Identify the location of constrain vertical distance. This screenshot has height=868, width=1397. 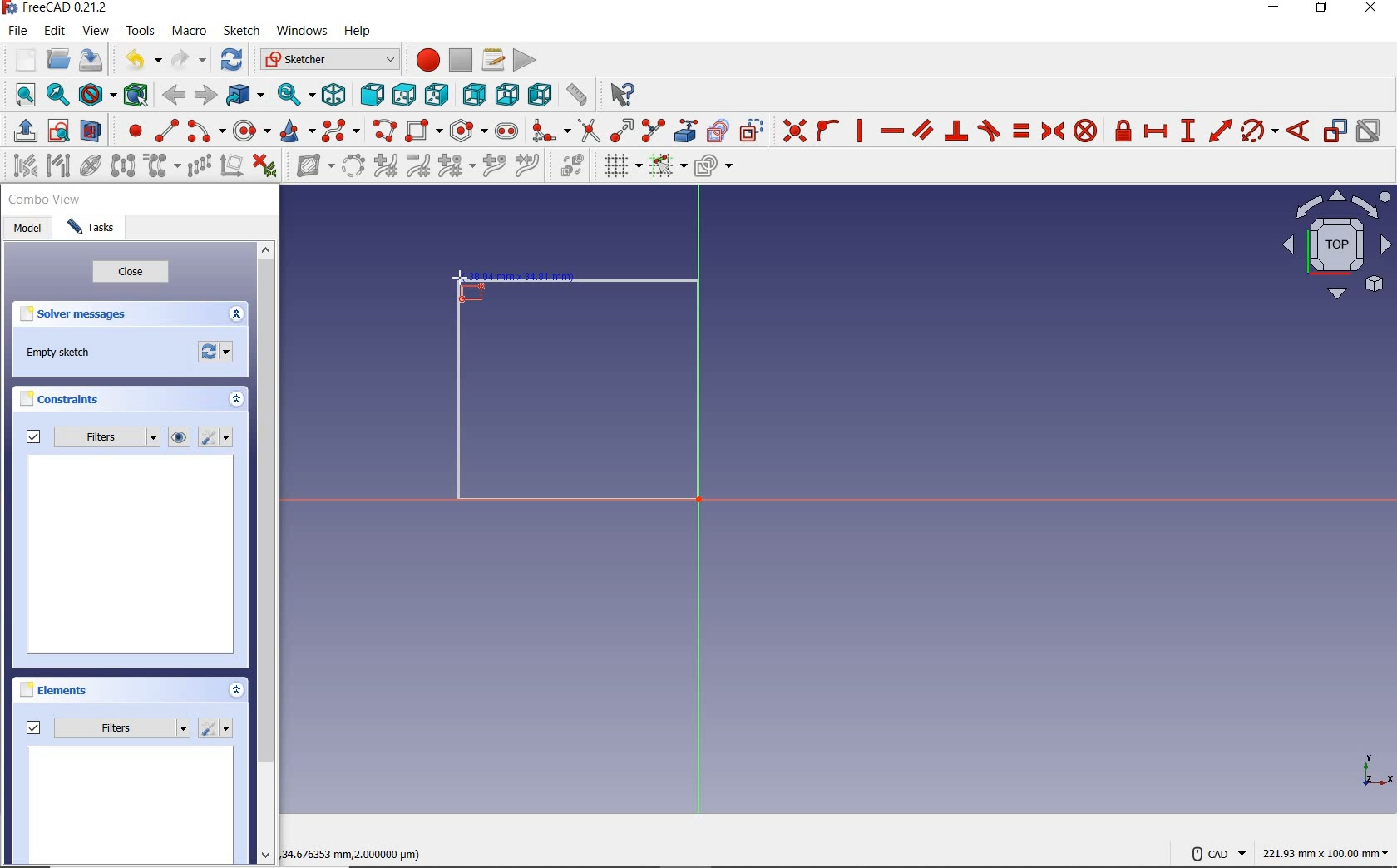
(1188, 131).